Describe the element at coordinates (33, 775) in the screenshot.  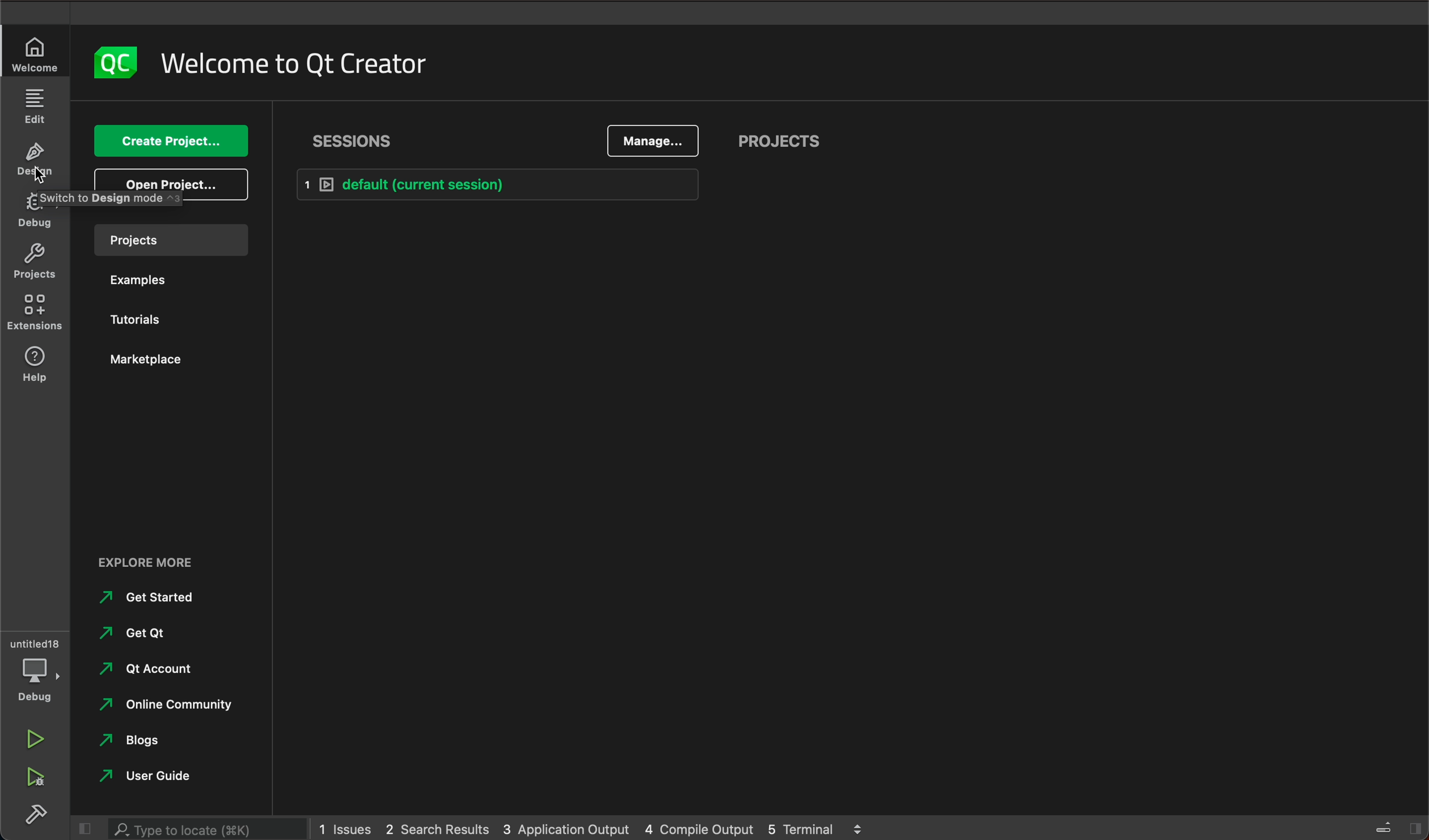
I see `run debug` at that location.